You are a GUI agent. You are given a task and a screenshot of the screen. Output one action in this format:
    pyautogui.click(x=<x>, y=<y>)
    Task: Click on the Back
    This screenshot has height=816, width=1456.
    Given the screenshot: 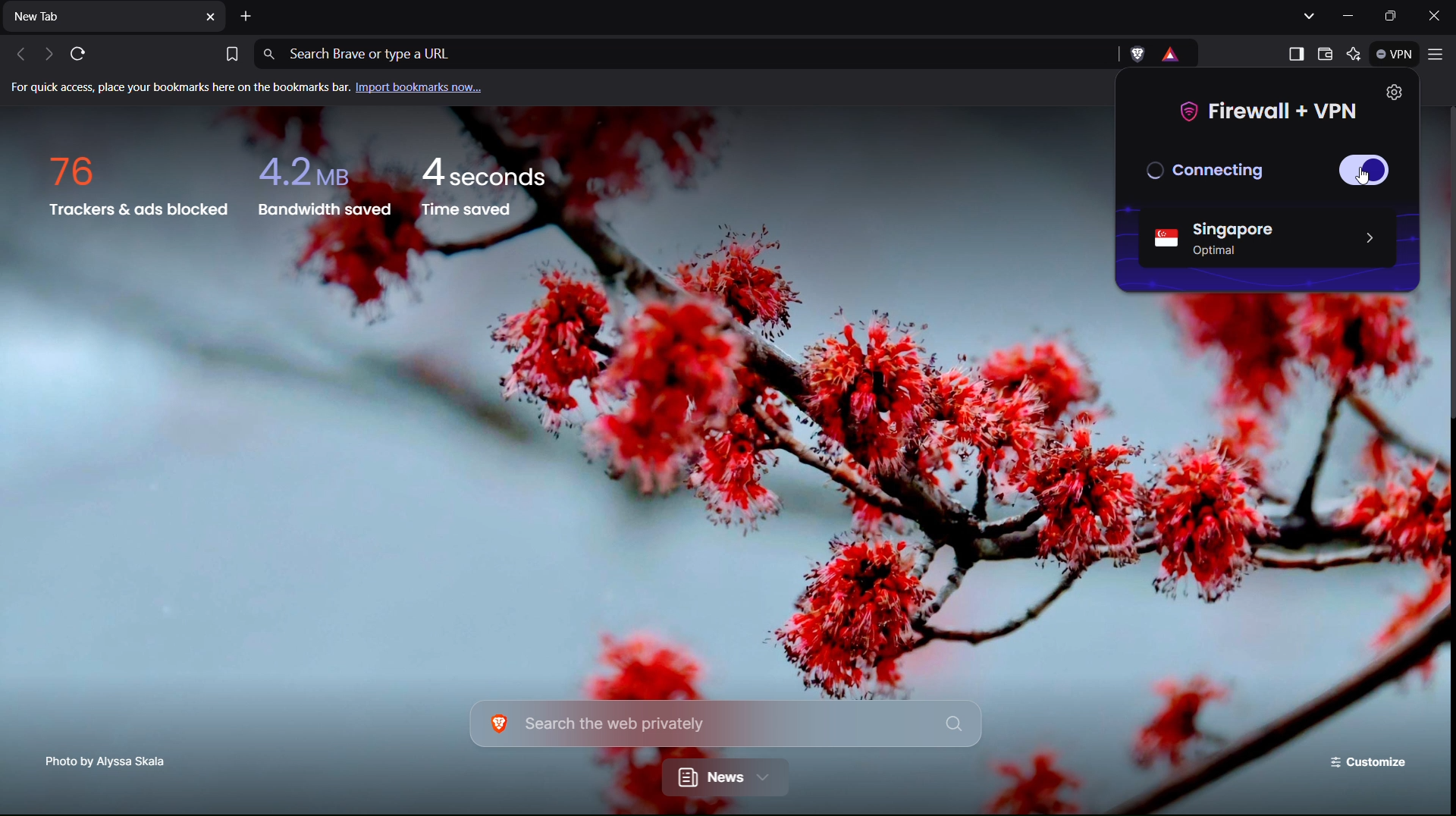 What is the action you would take?
    pyautogui.click(x=17, y=55)
    